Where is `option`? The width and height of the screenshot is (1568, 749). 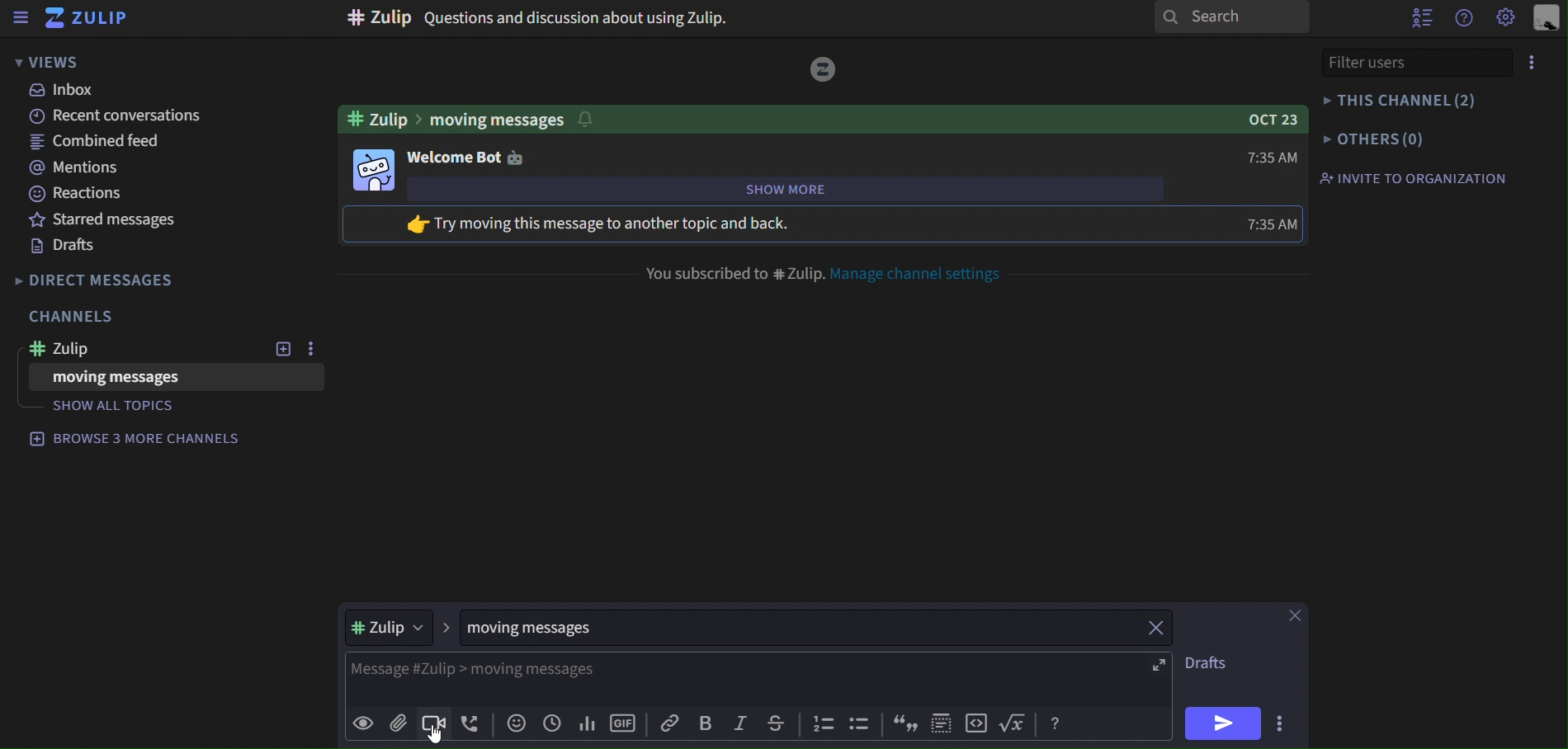 option is located at coordinates (308, 350).